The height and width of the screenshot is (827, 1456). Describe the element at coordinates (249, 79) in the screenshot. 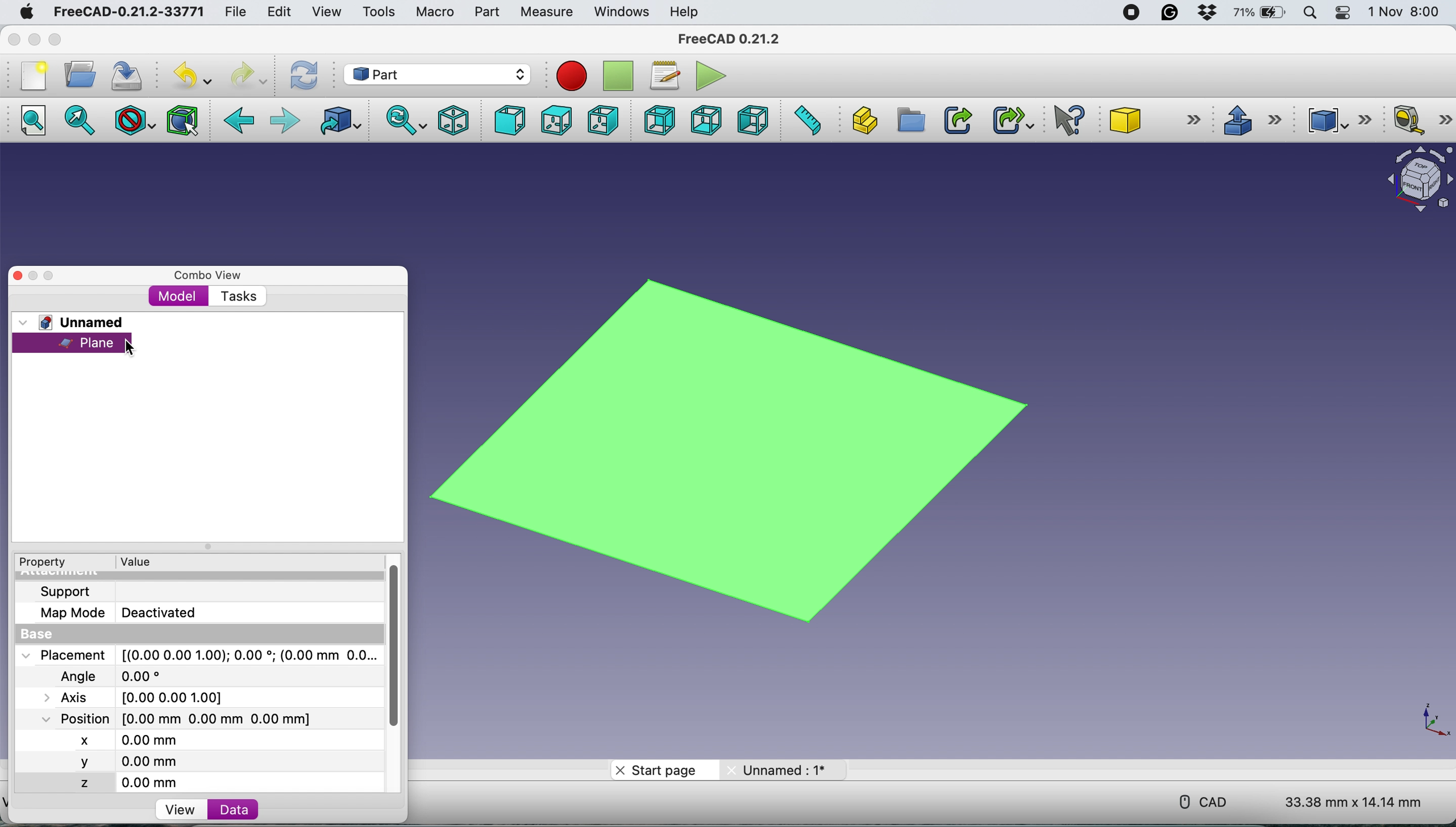

I see `redo` at that location.